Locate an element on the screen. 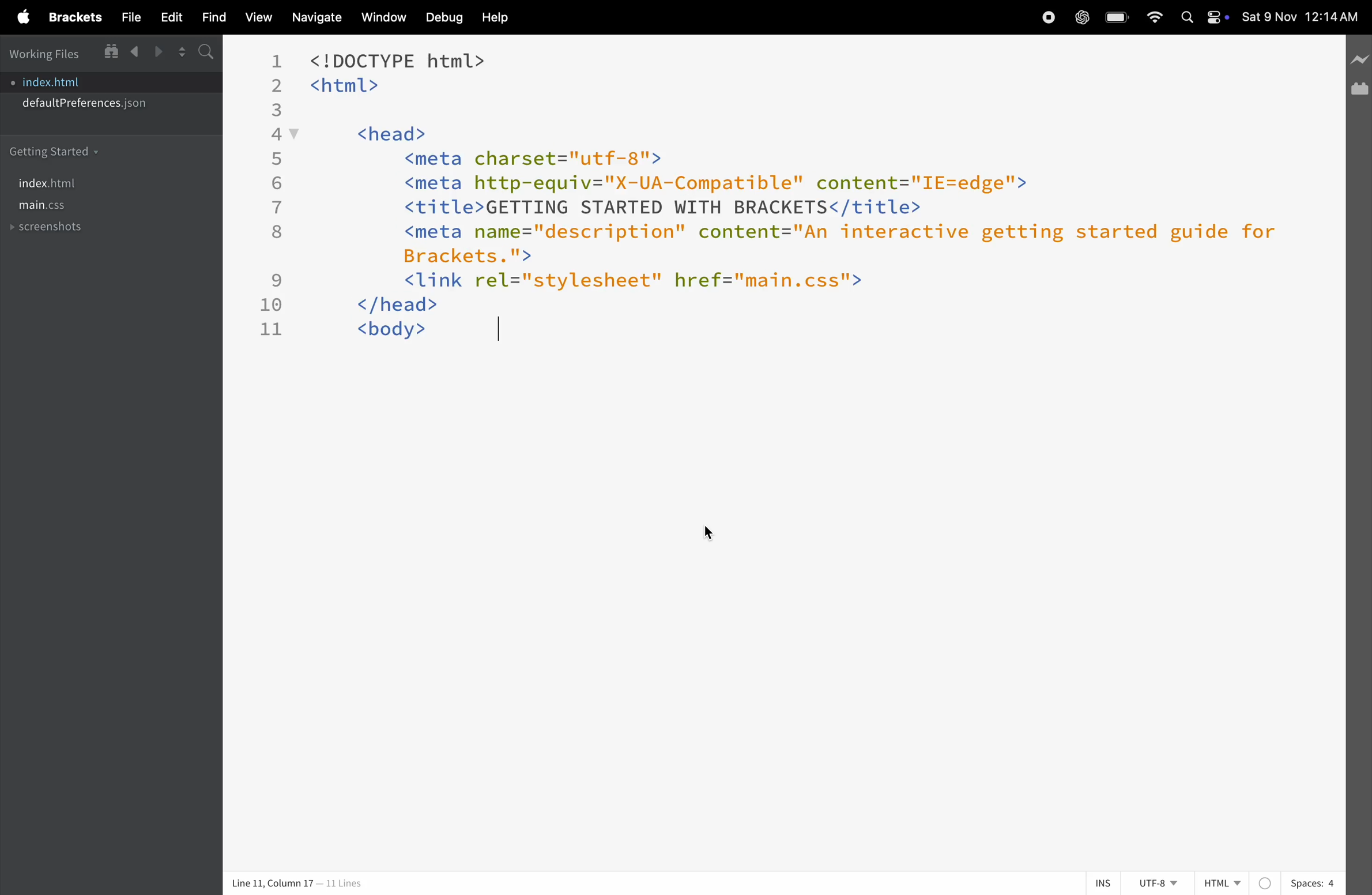 This screenshot has height=895, width=1372. battery is located at coordinates (1117, 17).